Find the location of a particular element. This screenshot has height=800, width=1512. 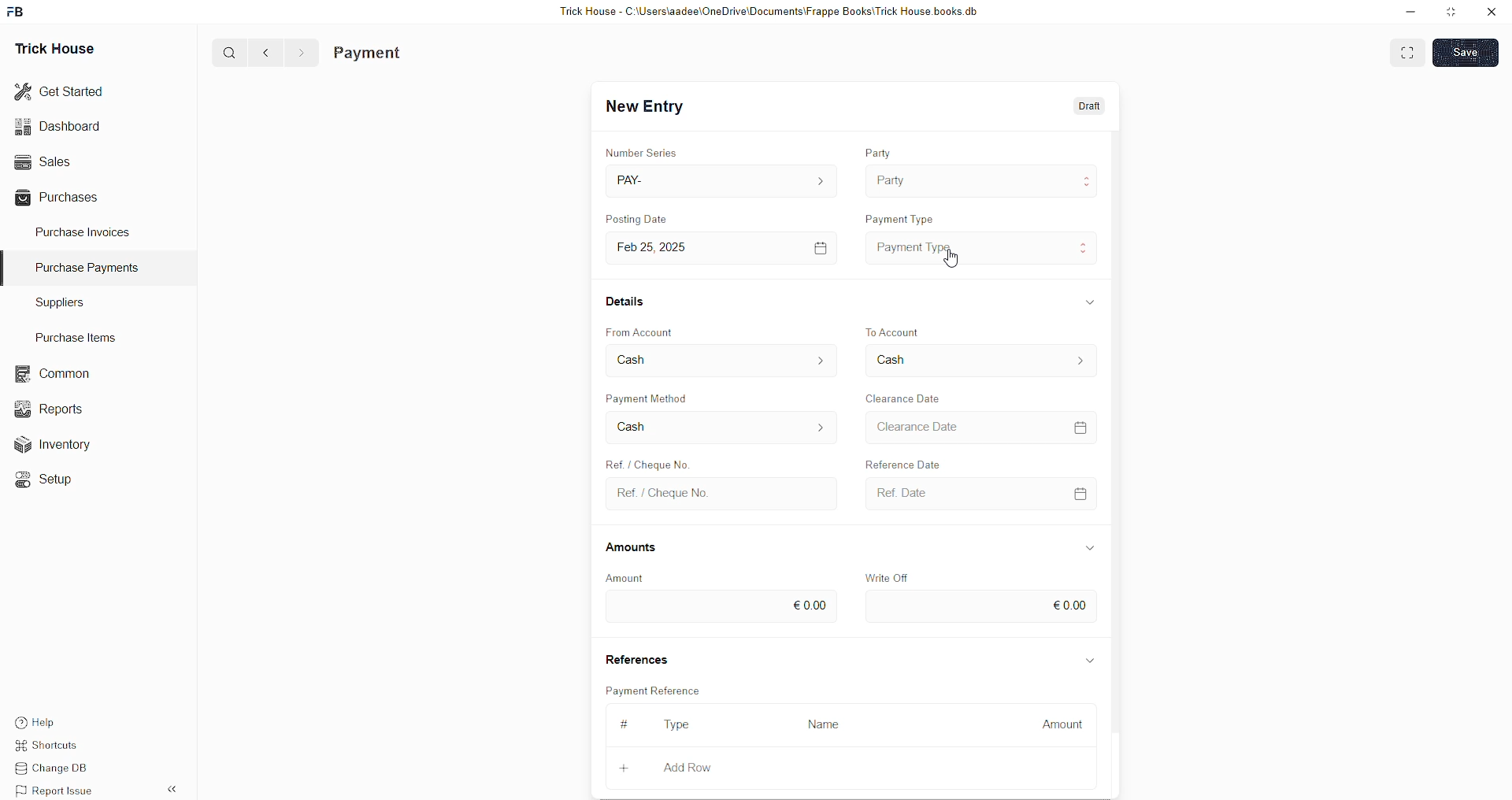

Sales is located at coordinates (41, 160).